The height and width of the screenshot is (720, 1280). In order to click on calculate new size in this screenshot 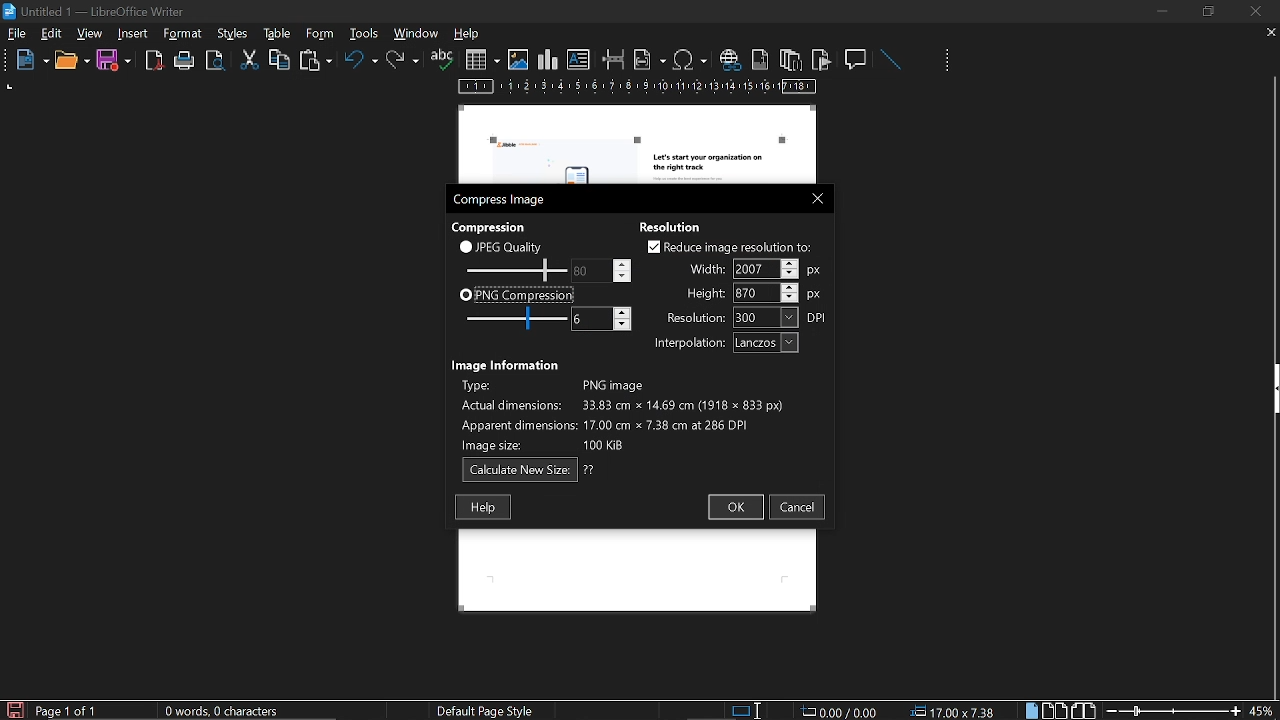, I will do `click(529, 470)`.